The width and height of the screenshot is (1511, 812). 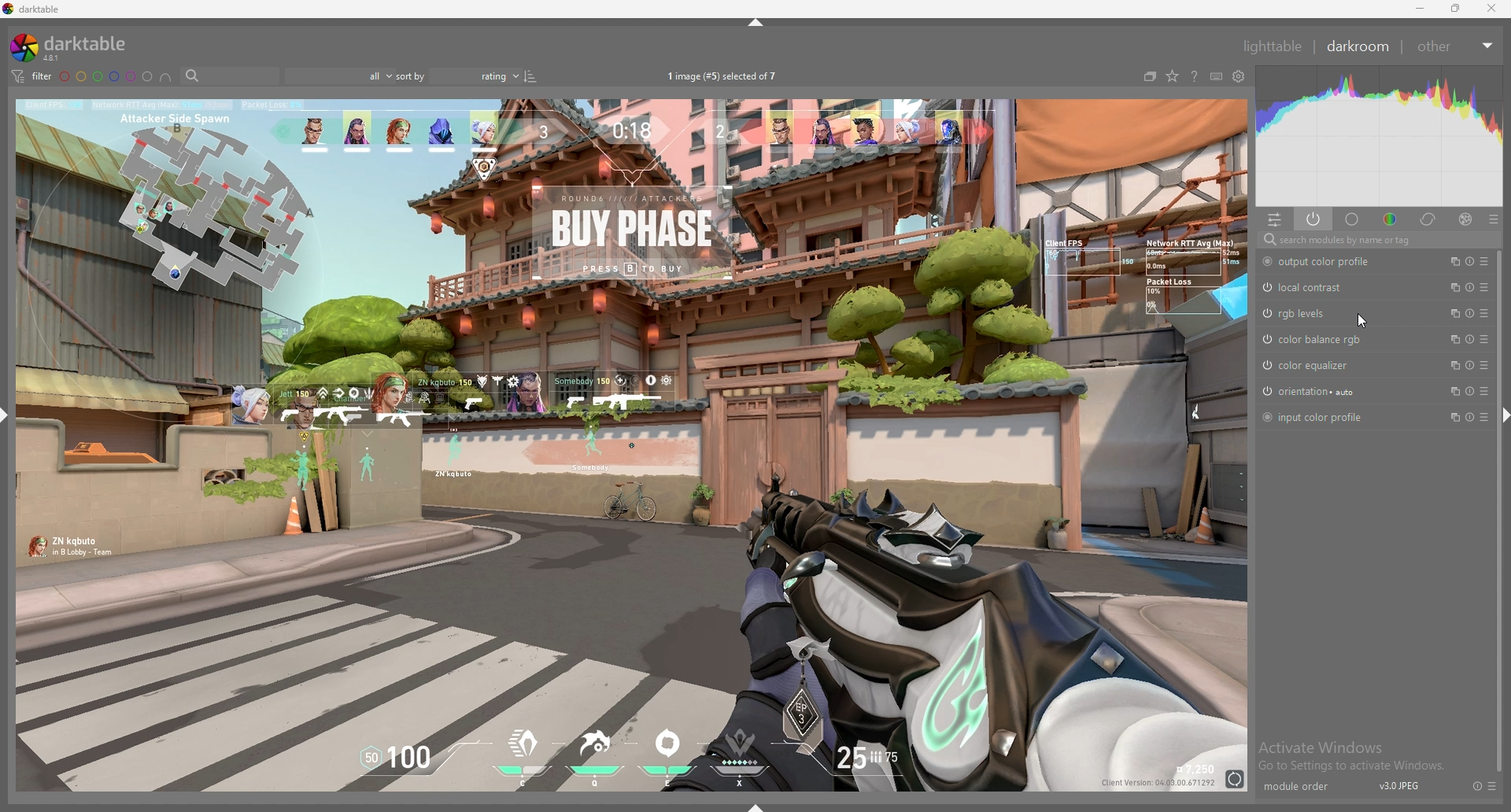 I want to click on hide, so click(x=1507, y=415).